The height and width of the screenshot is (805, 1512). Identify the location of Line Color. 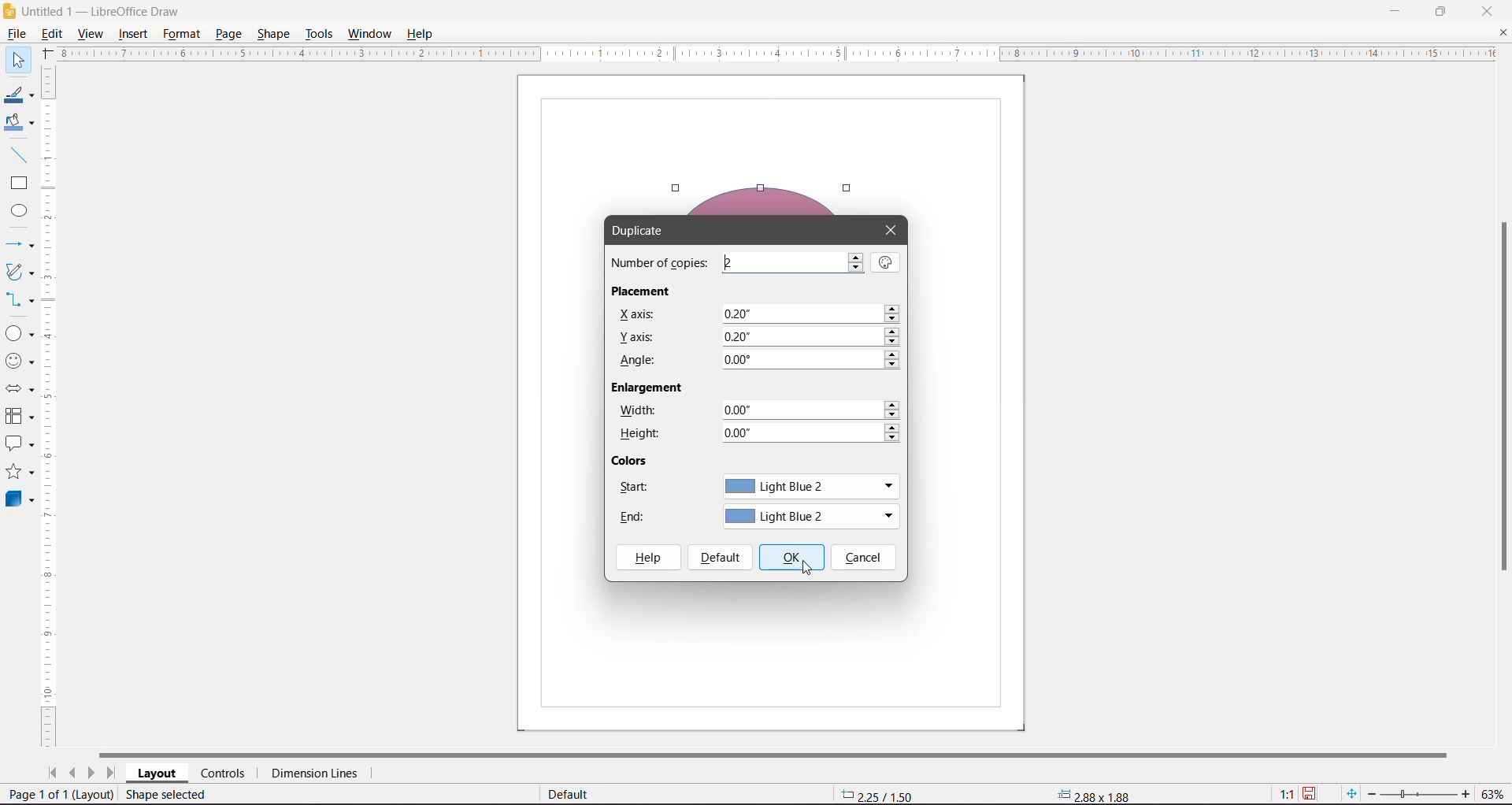
(20, 93).